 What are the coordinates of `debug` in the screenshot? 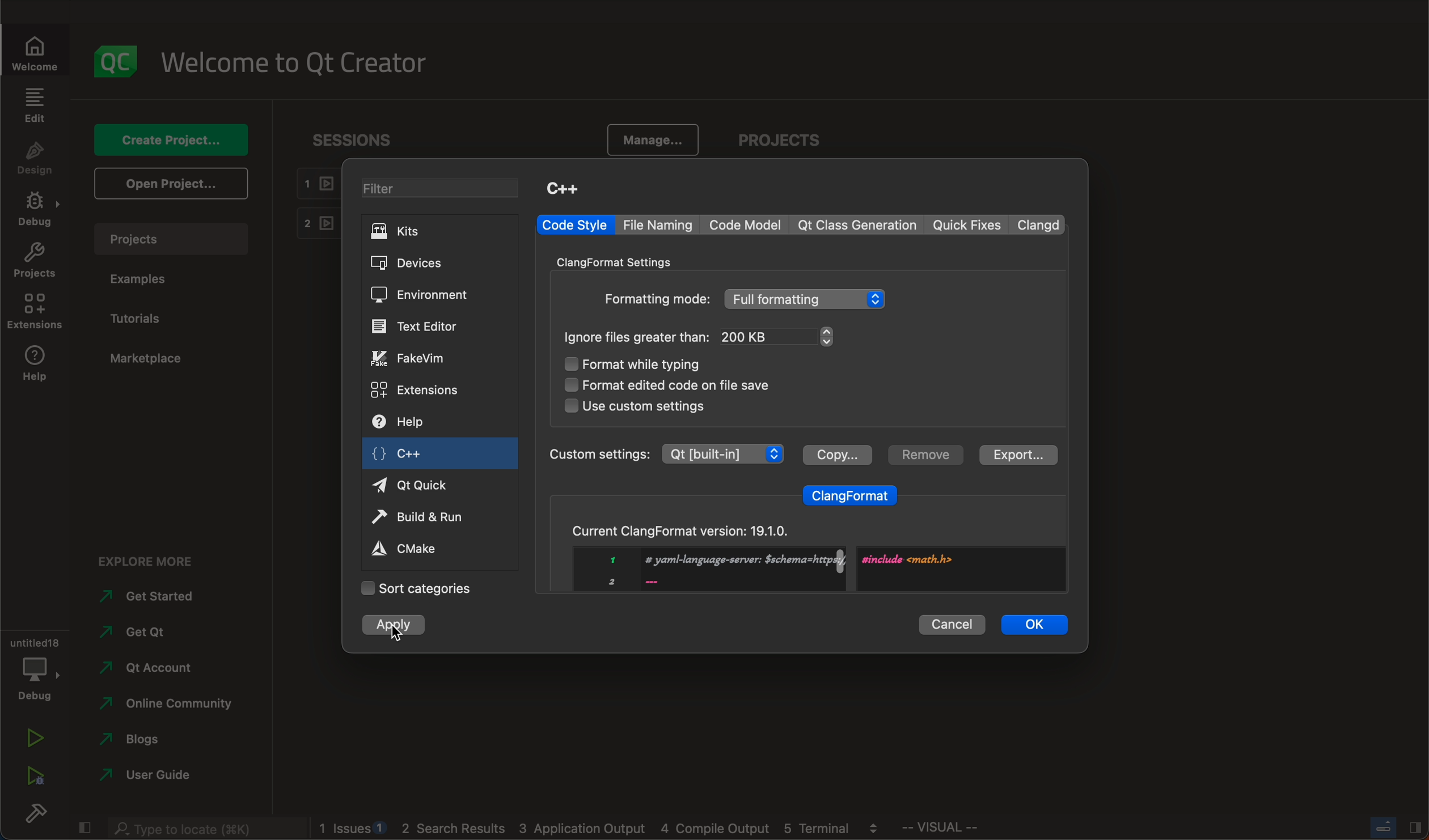 It's located at (38, 211).